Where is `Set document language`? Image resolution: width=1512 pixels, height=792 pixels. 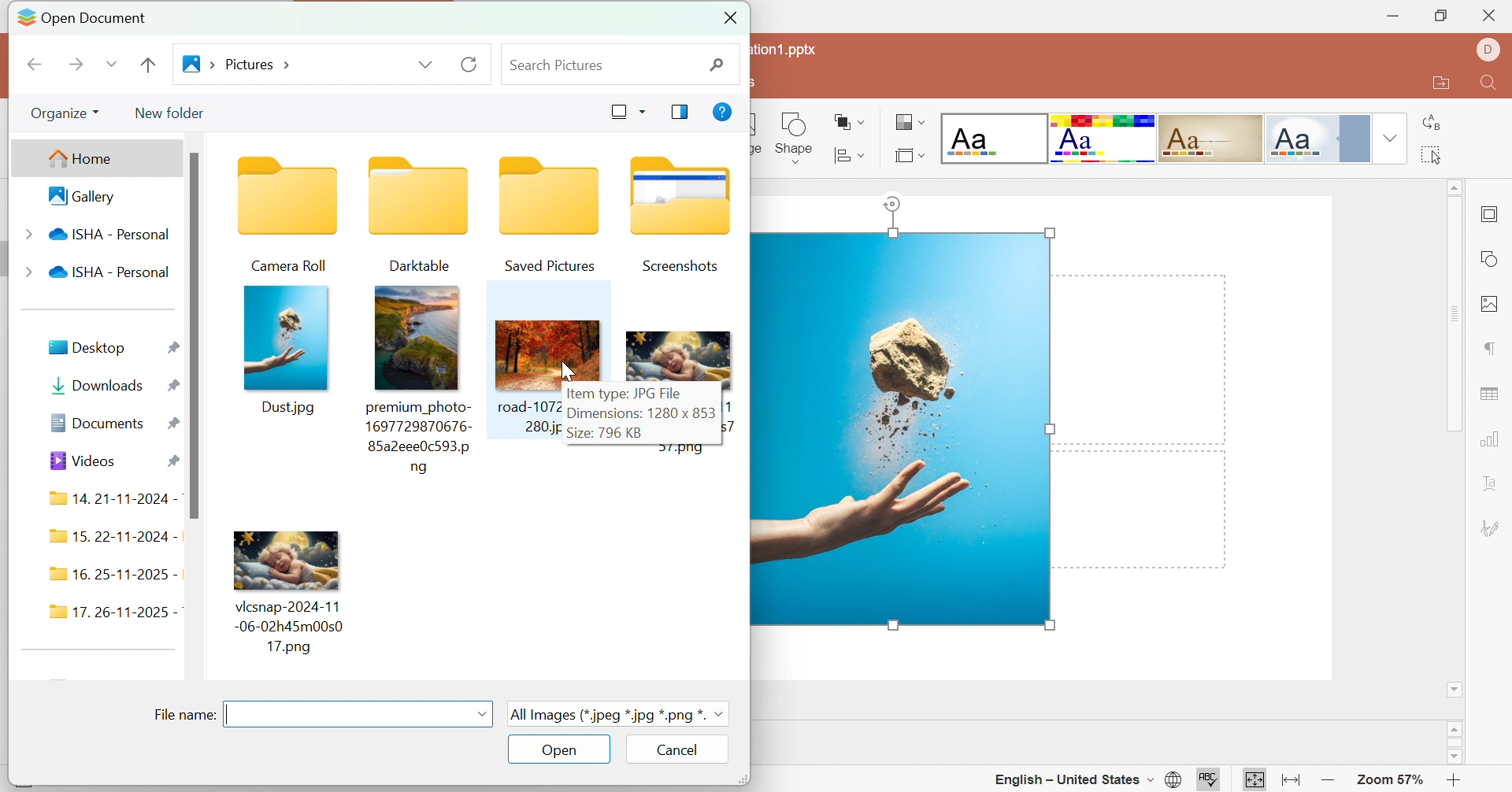
Set document language is located at coordinates (1177, 779).